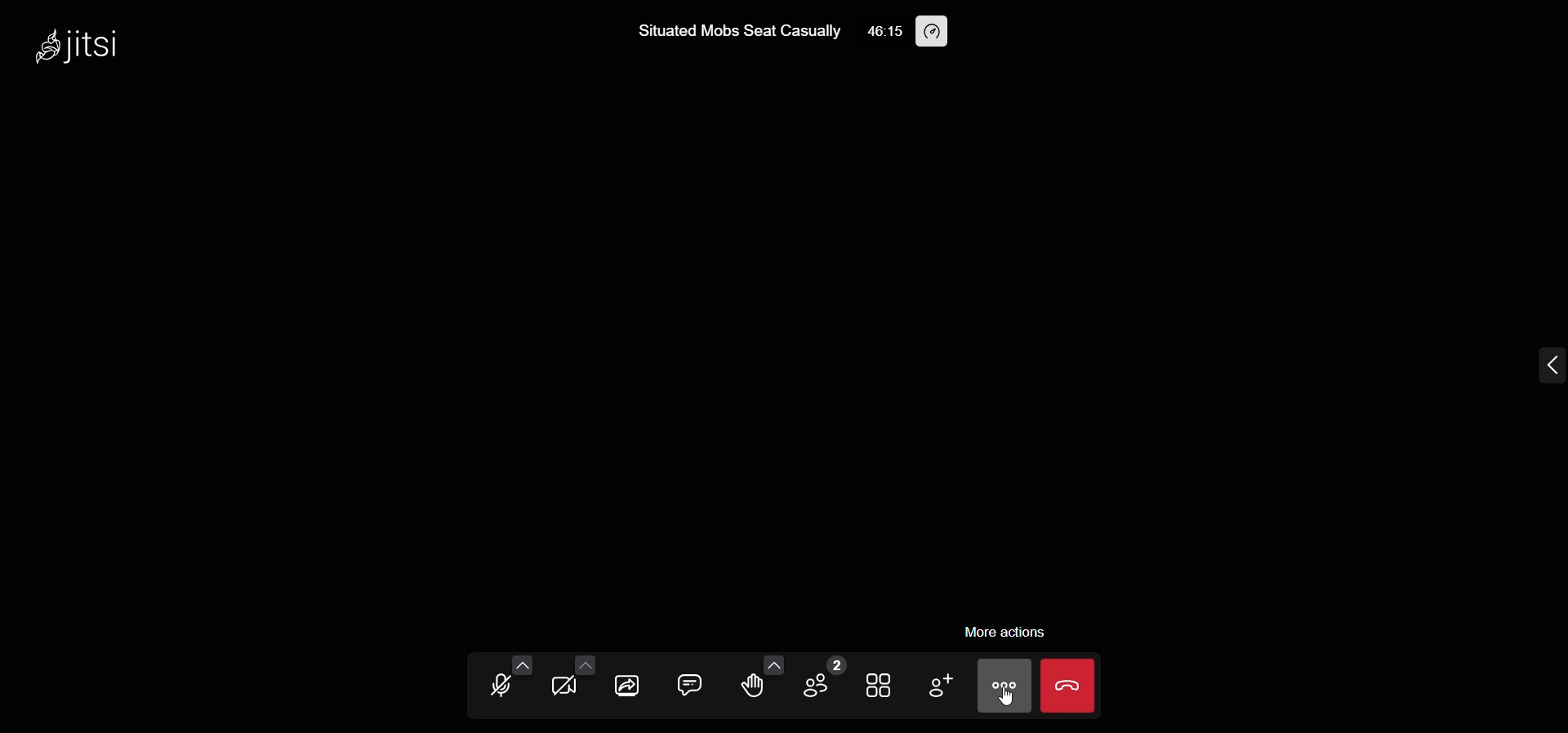  I want to click on tile view, so click(875, 685).